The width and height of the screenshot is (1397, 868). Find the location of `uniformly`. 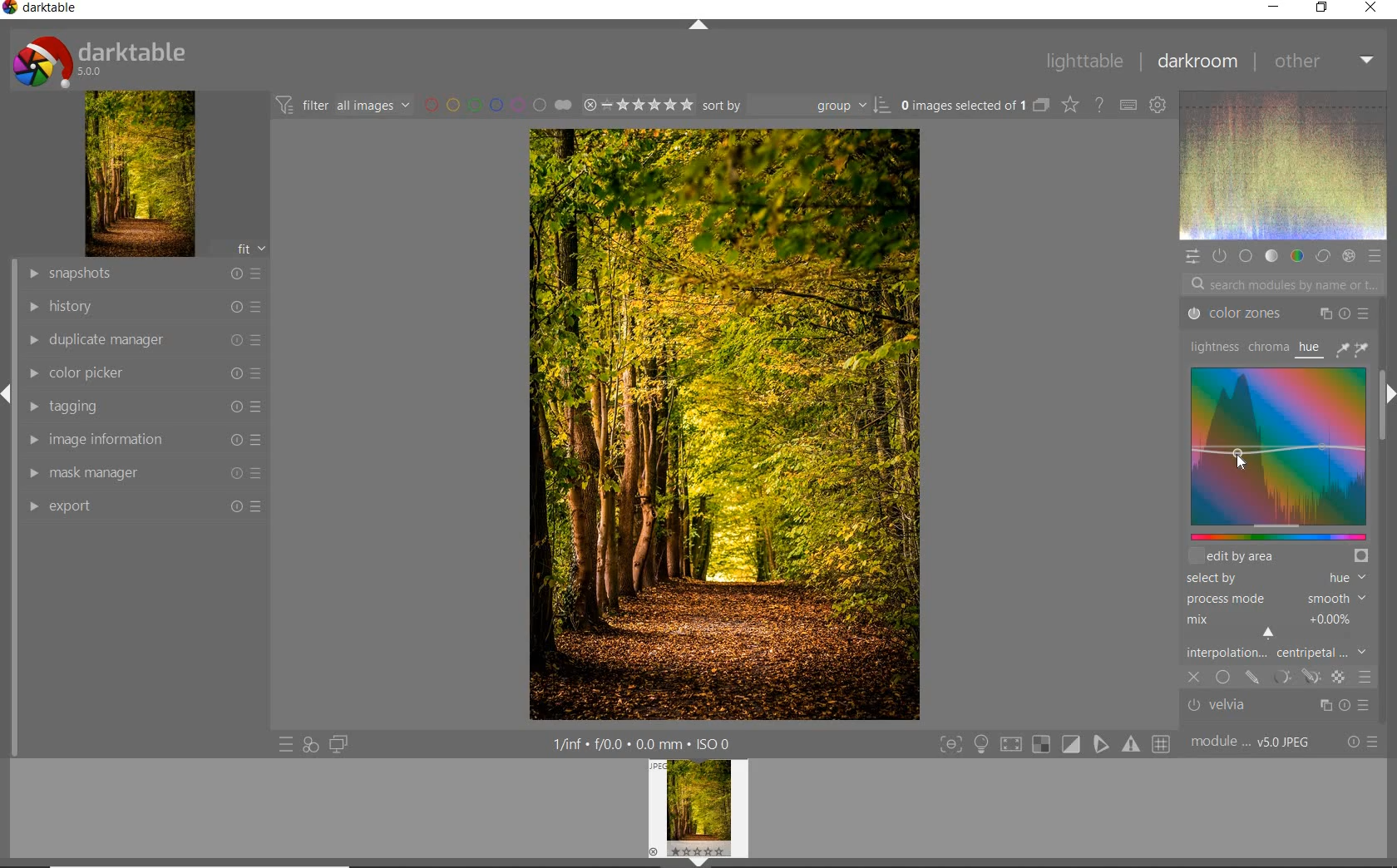

uniformly is located at coordinates (1222, 678).